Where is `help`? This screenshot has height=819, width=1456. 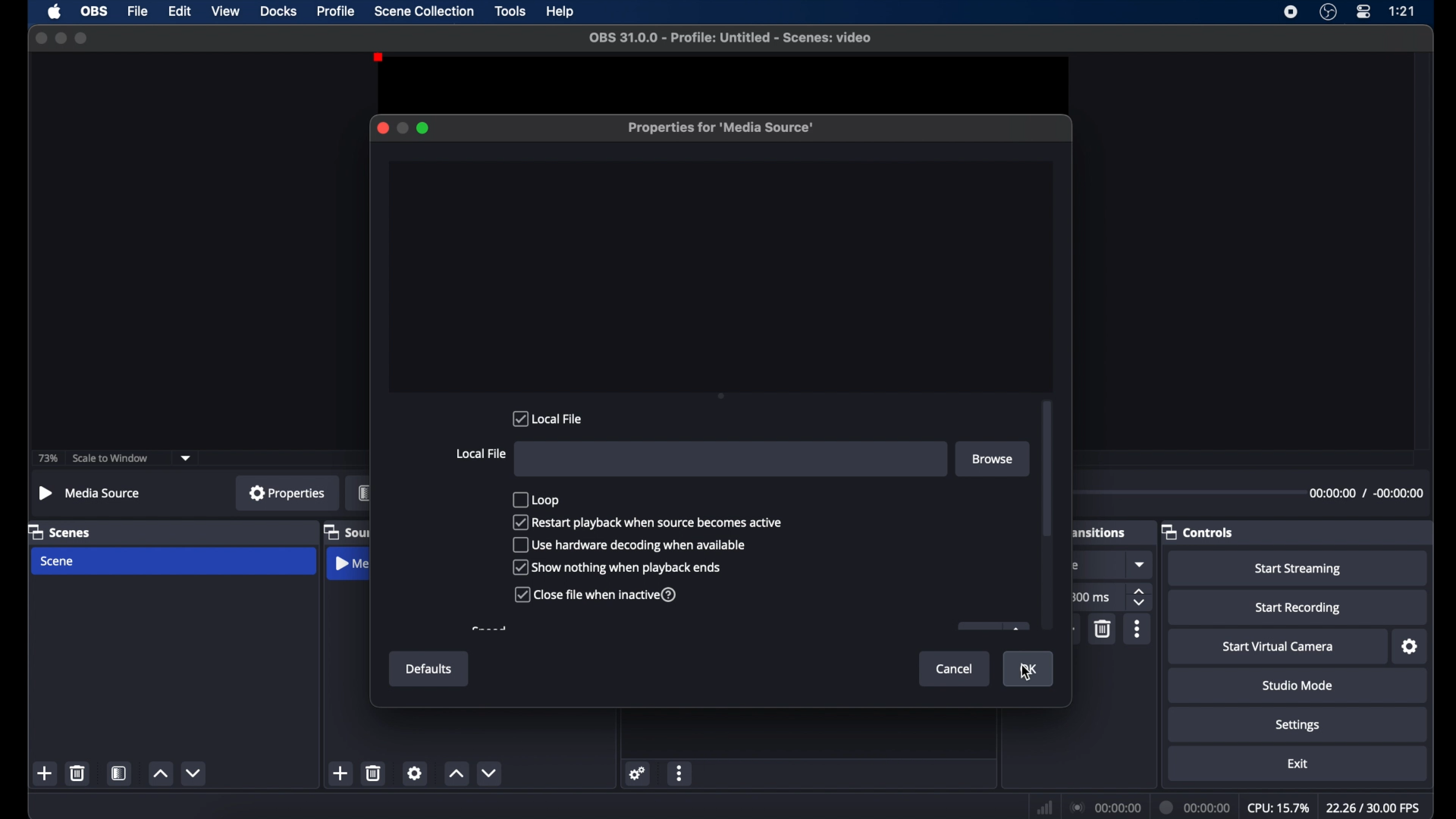
help is located at coordinates (561, 13).